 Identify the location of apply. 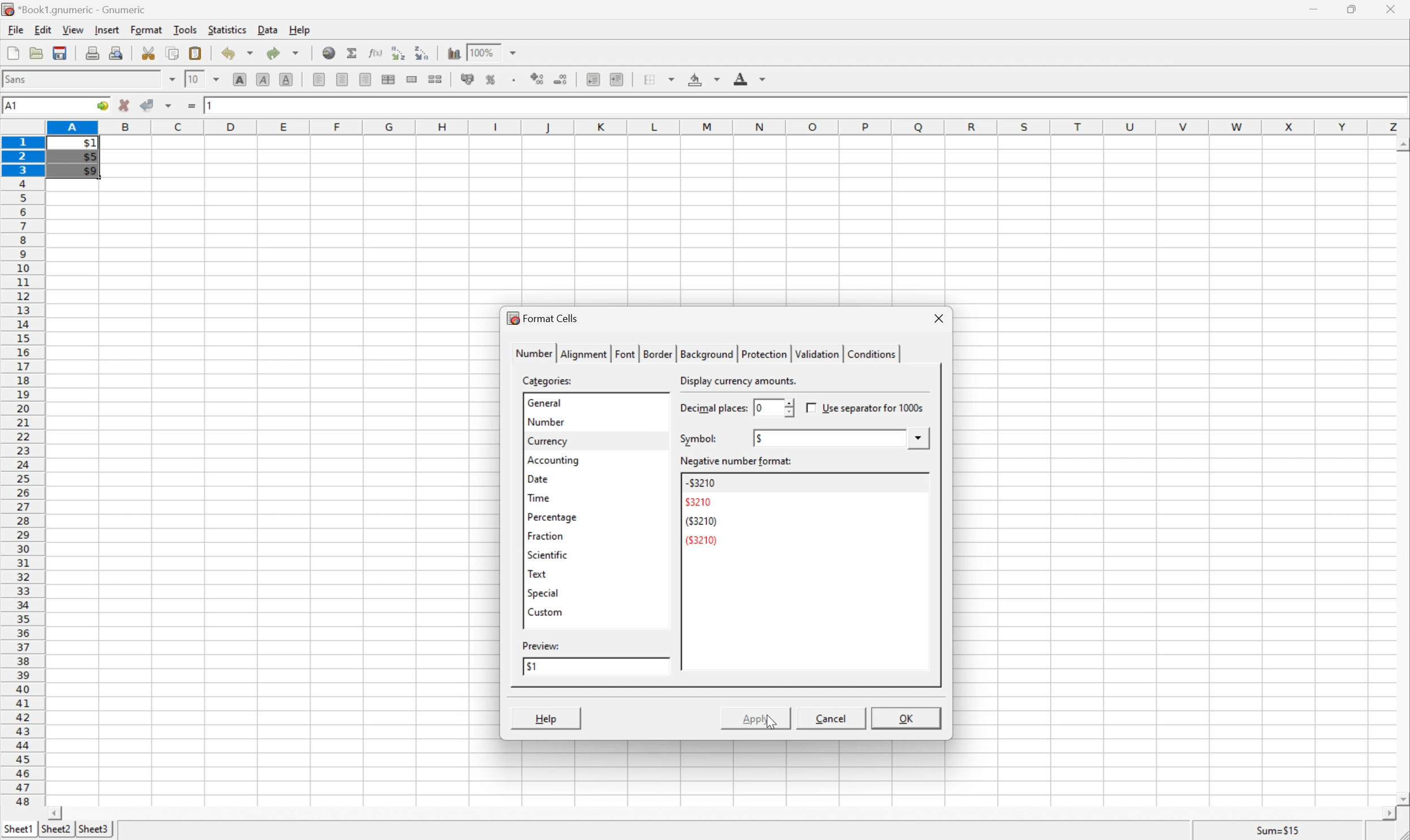
(753, 718).